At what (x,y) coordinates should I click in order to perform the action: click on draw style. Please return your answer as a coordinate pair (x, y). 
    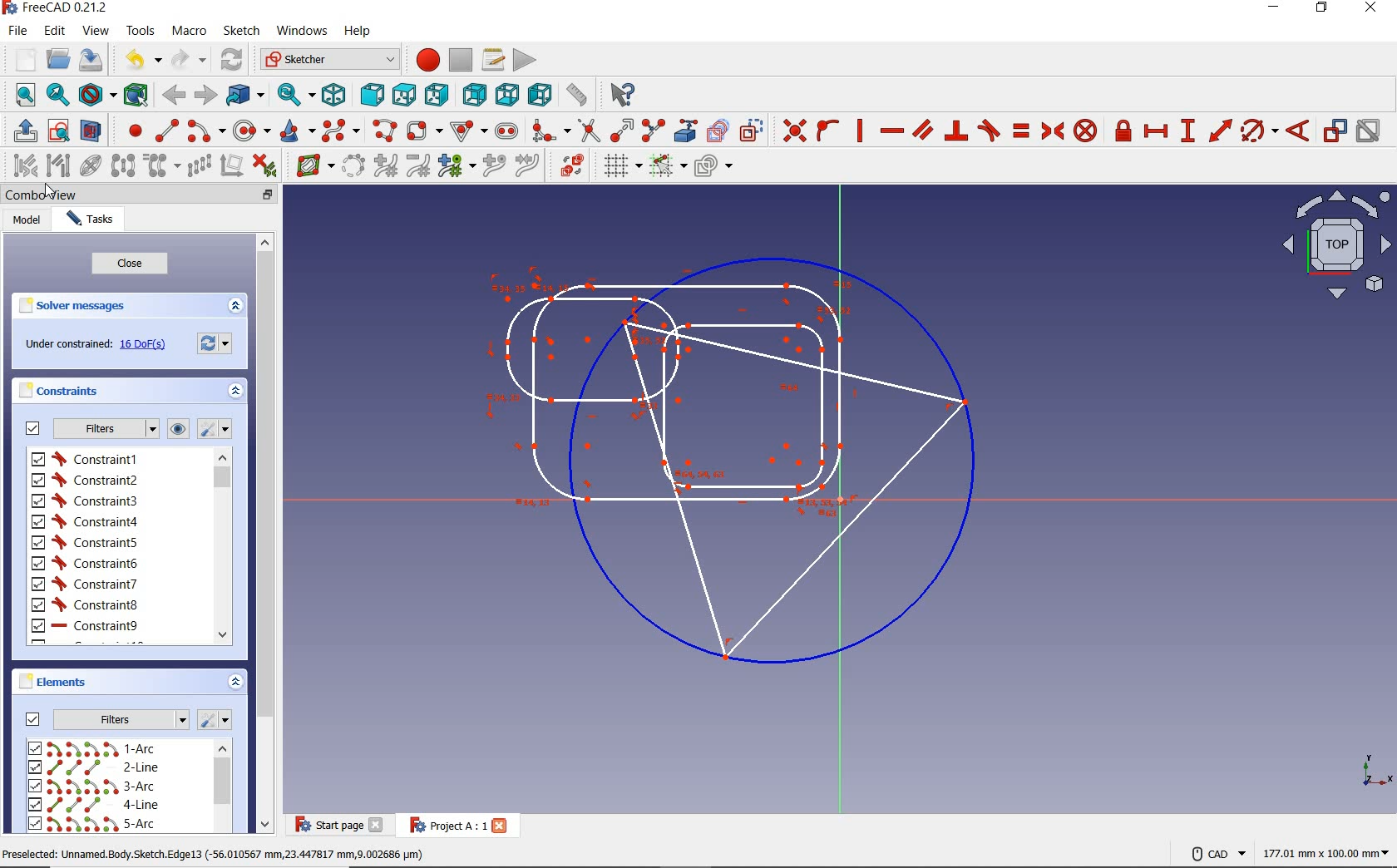
    Looking at the image, I should click on (97, 94).